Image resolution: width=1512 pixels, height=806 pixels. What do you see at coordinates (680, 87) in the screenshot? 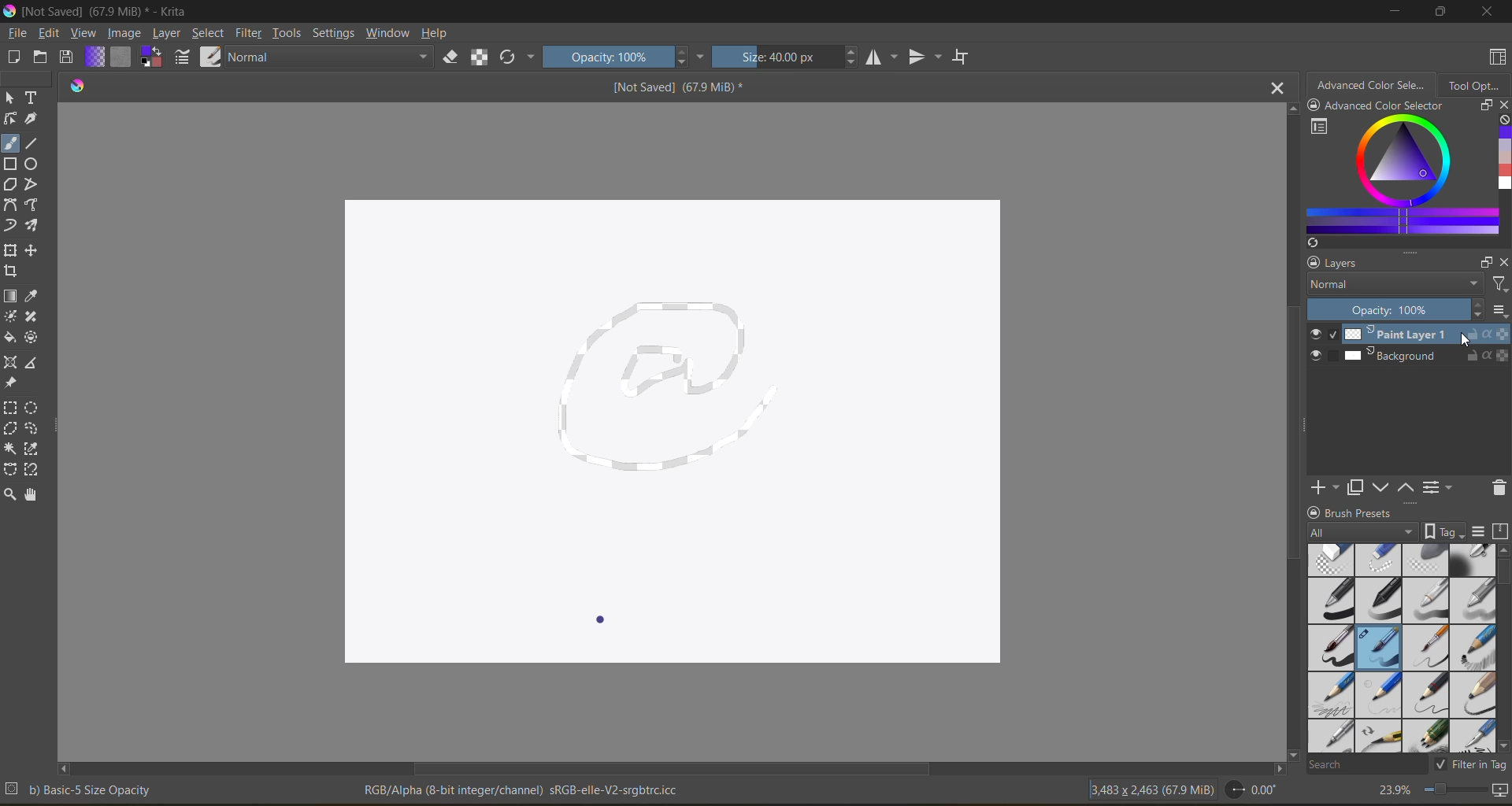
I see `Not saved (67.9 MiB)` at bounding box center [680, 87].